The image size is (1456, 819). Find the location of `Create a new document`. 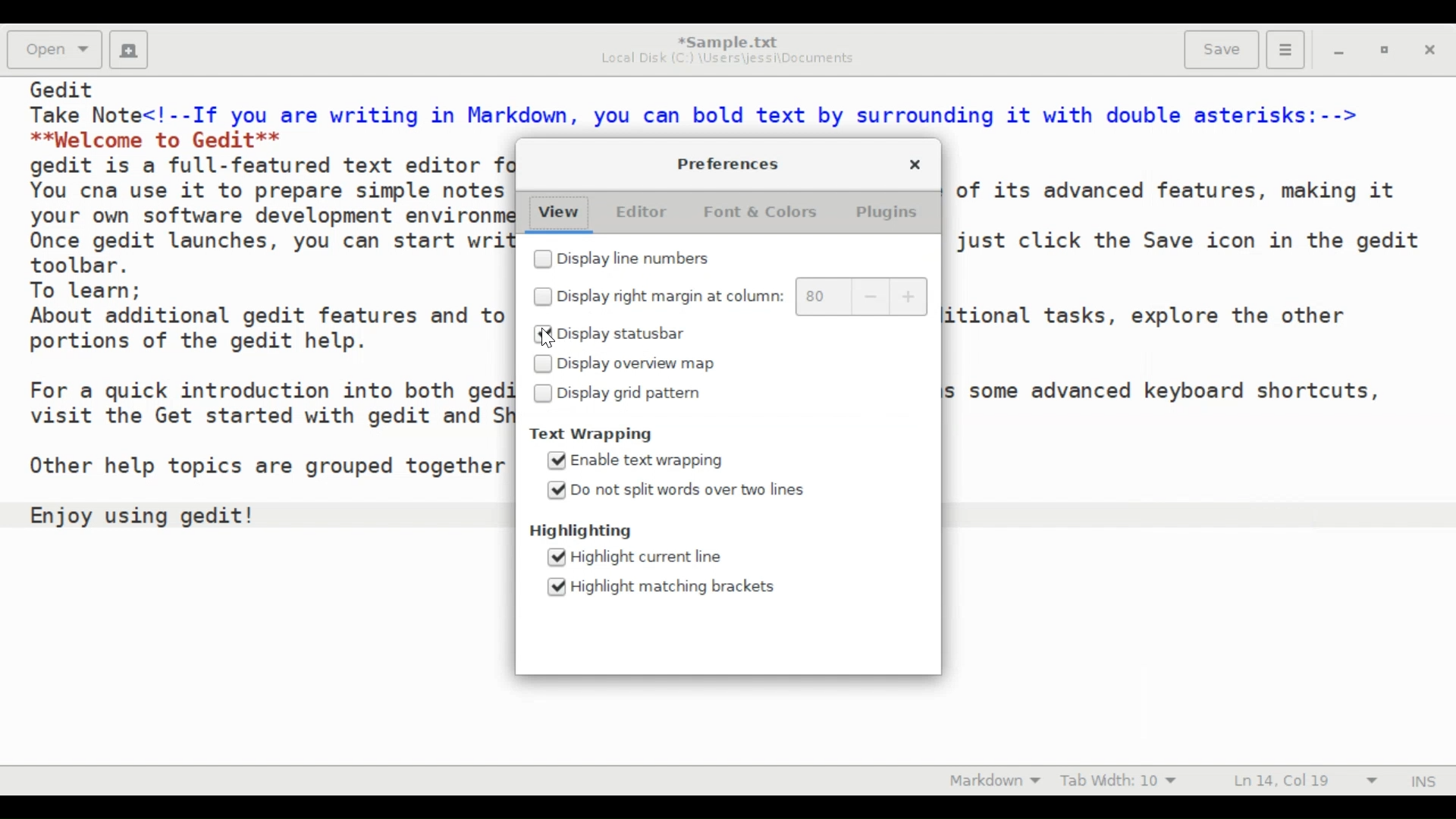

Create a new document is located at coordinates (129, 50).